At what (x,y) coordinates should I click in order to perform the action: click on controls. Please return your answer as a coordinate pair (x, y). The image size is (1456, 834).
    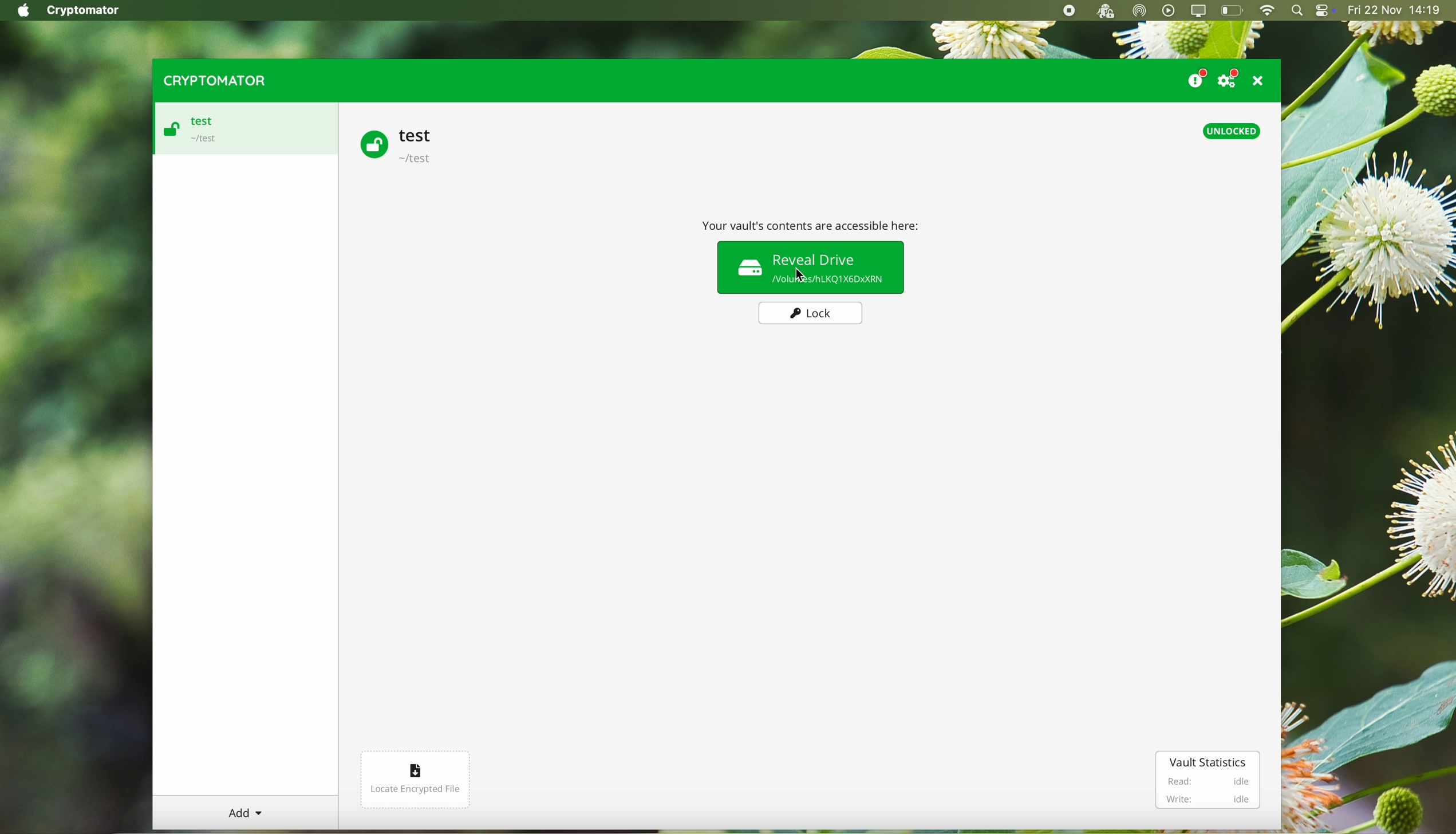
    Looking at the image, I should click on (1325, 11).